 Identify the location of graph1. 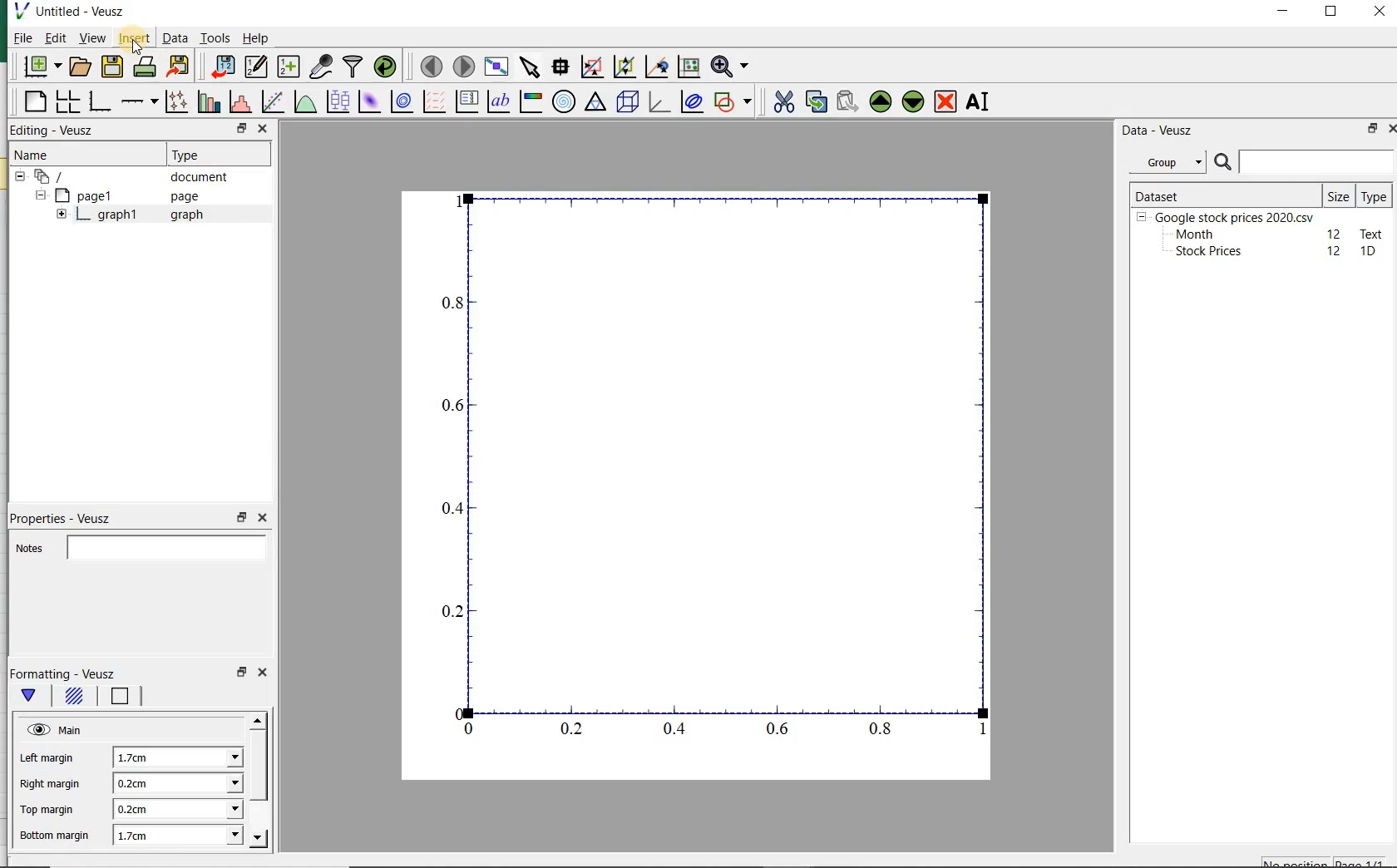
(127, 216).